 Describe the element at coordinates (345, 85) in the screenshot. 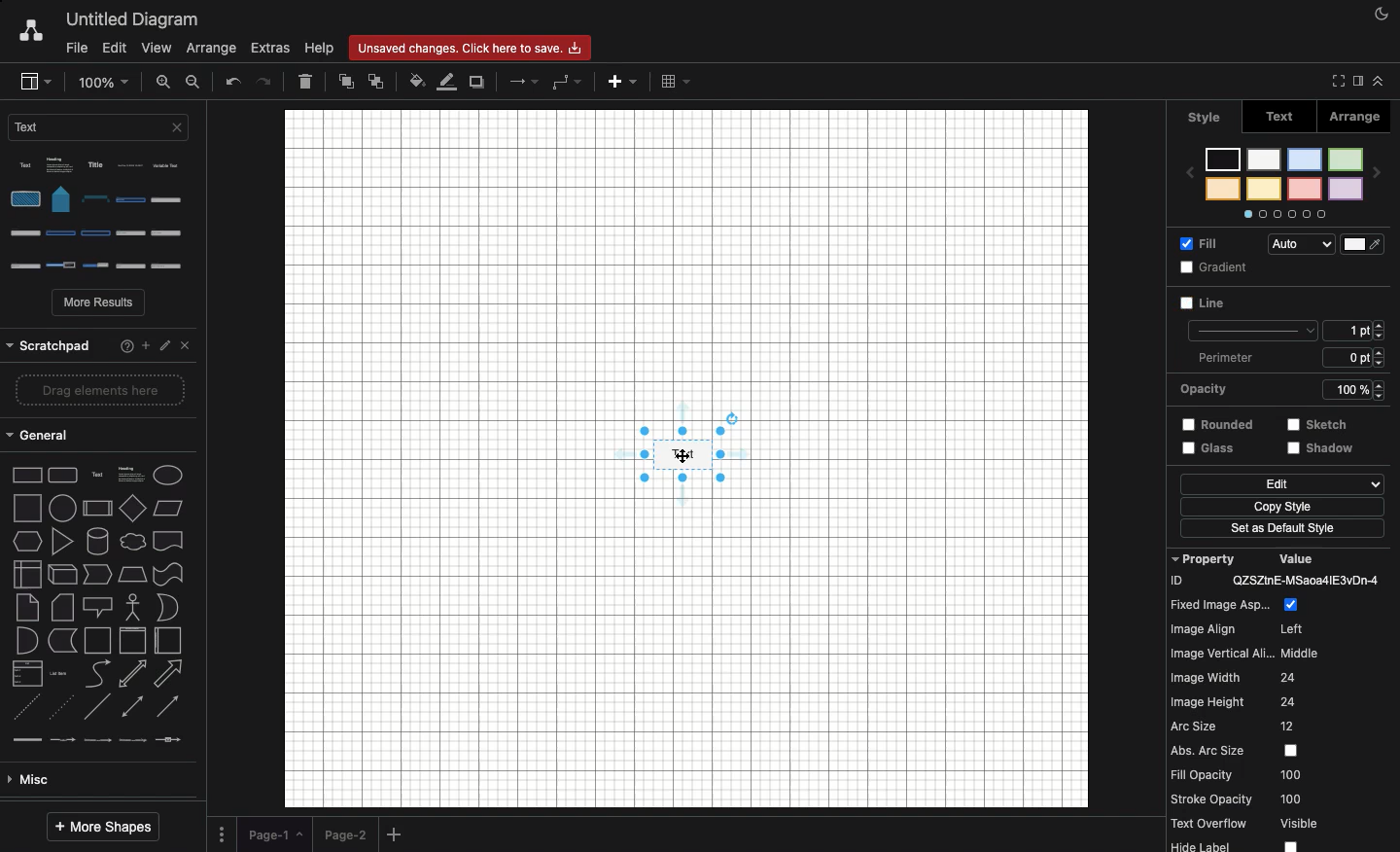

I see `To front` at that location.